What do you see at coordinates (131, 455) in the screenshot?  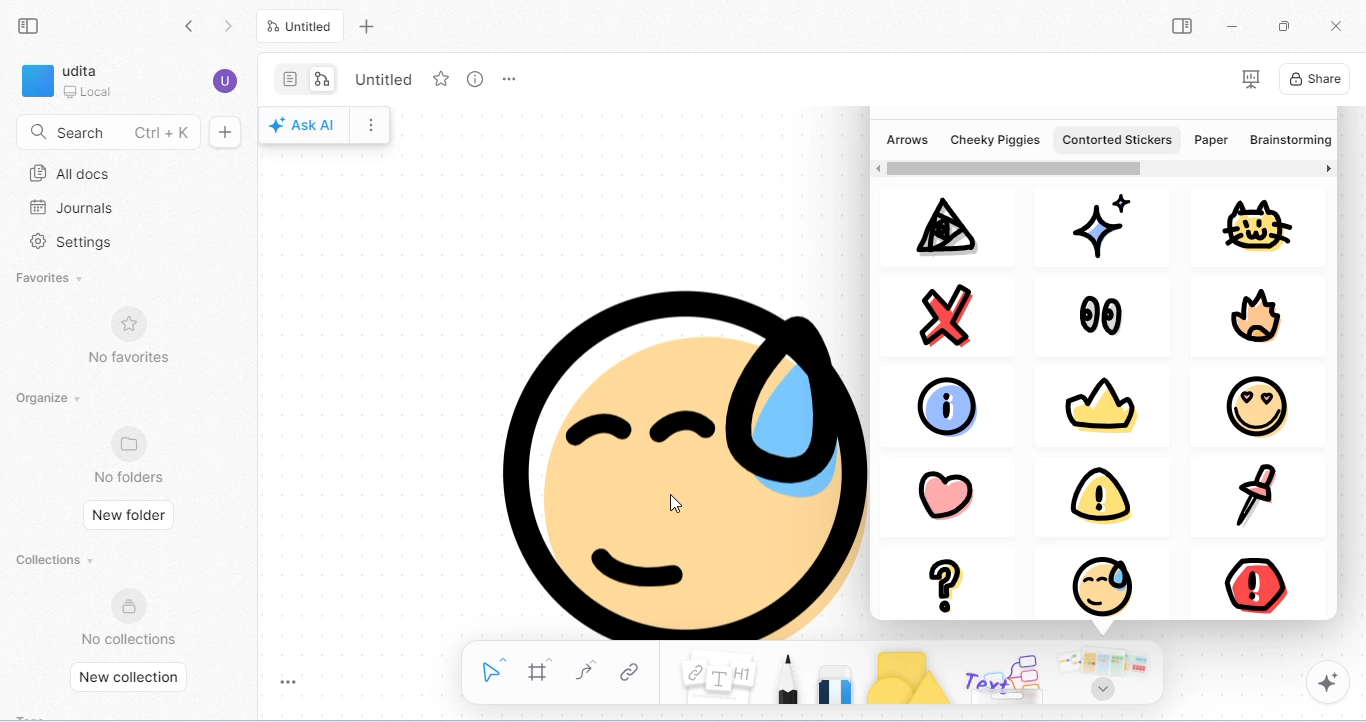 I see `no folders` at bounding box center [131, 455].